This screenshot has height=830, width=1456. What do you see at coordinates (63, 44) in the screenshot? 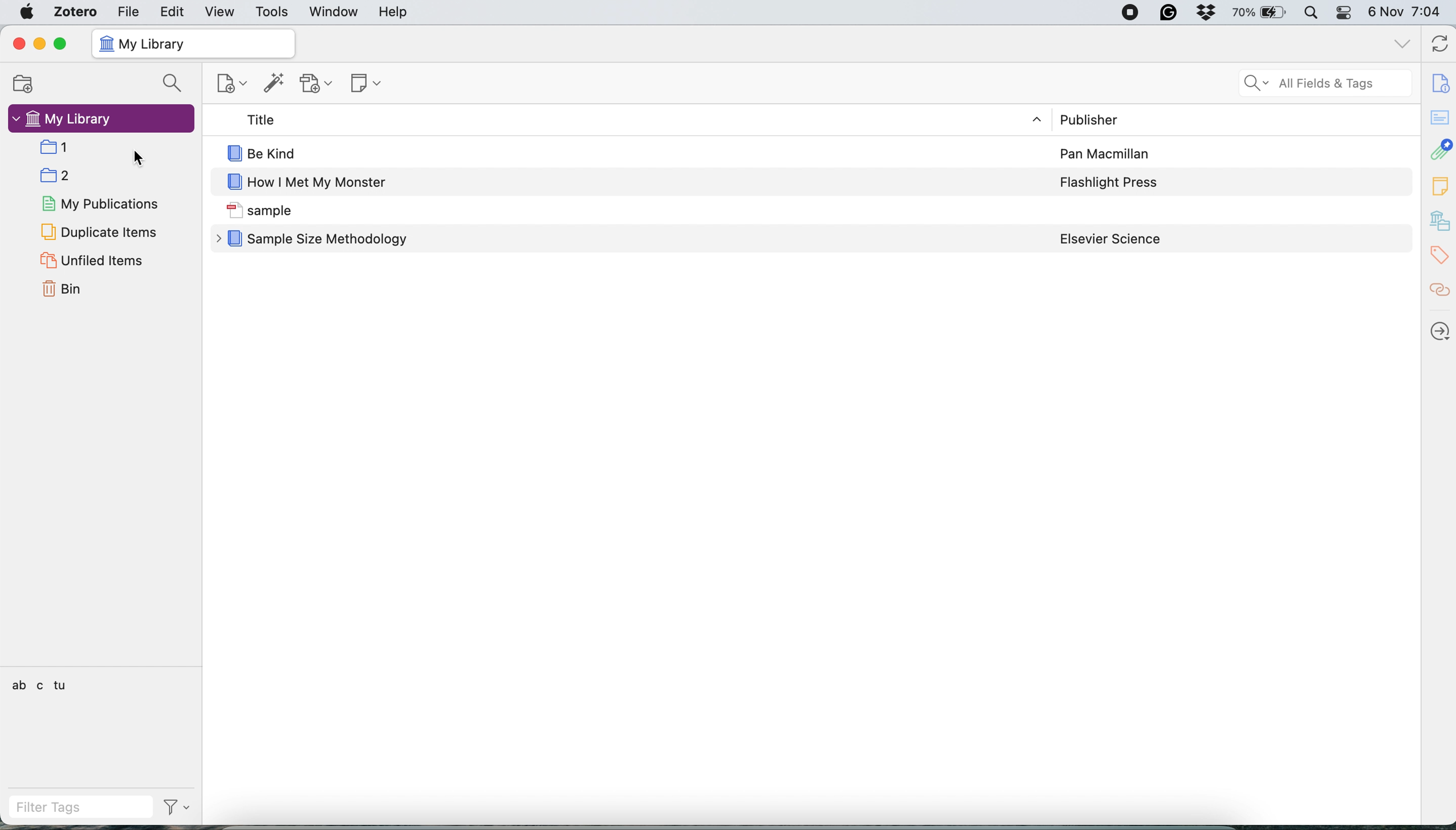
I see `maximise` at bounding box center [63, 44].